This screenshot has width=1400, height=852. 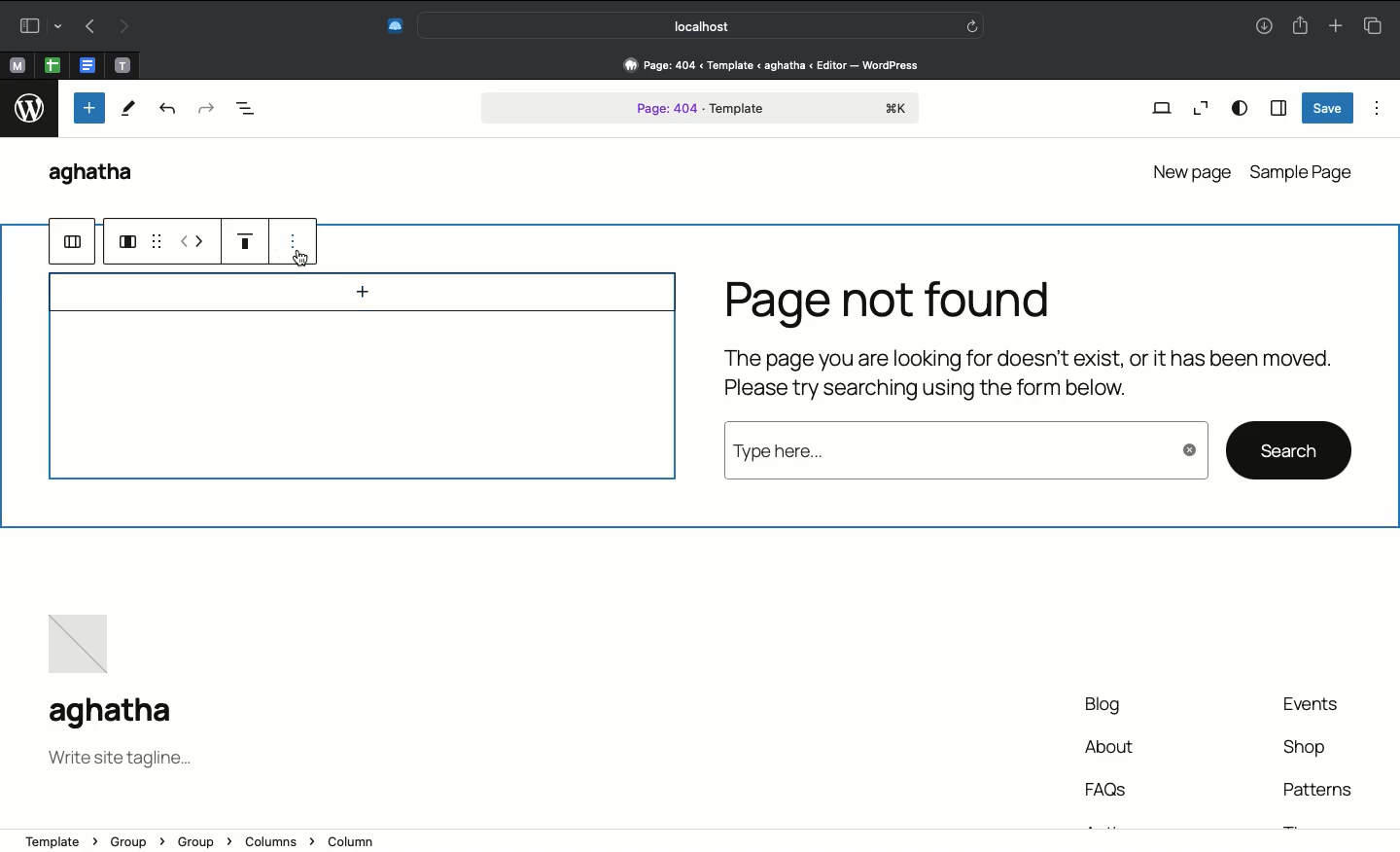 What do you see at coordinates (122, 66) in the screenshot?
I see `open tab` at bounding box center [122, 66].